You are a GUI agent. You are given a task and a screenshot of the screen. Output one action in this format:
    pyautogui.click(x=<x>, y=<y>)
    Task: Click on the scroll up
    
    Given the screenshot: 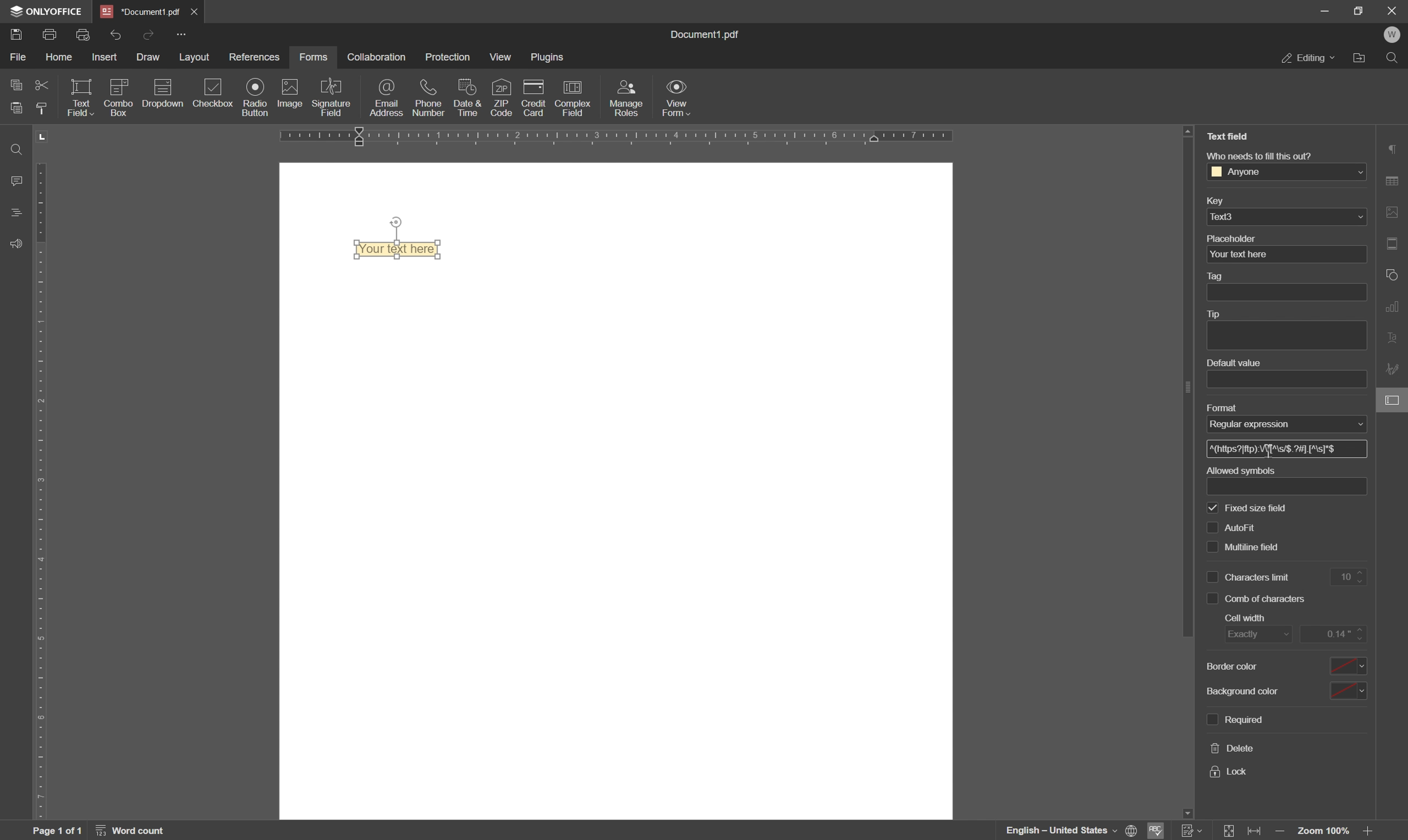 What is the action you would take?
    pyautogui.click(x=1188, y=131)
    